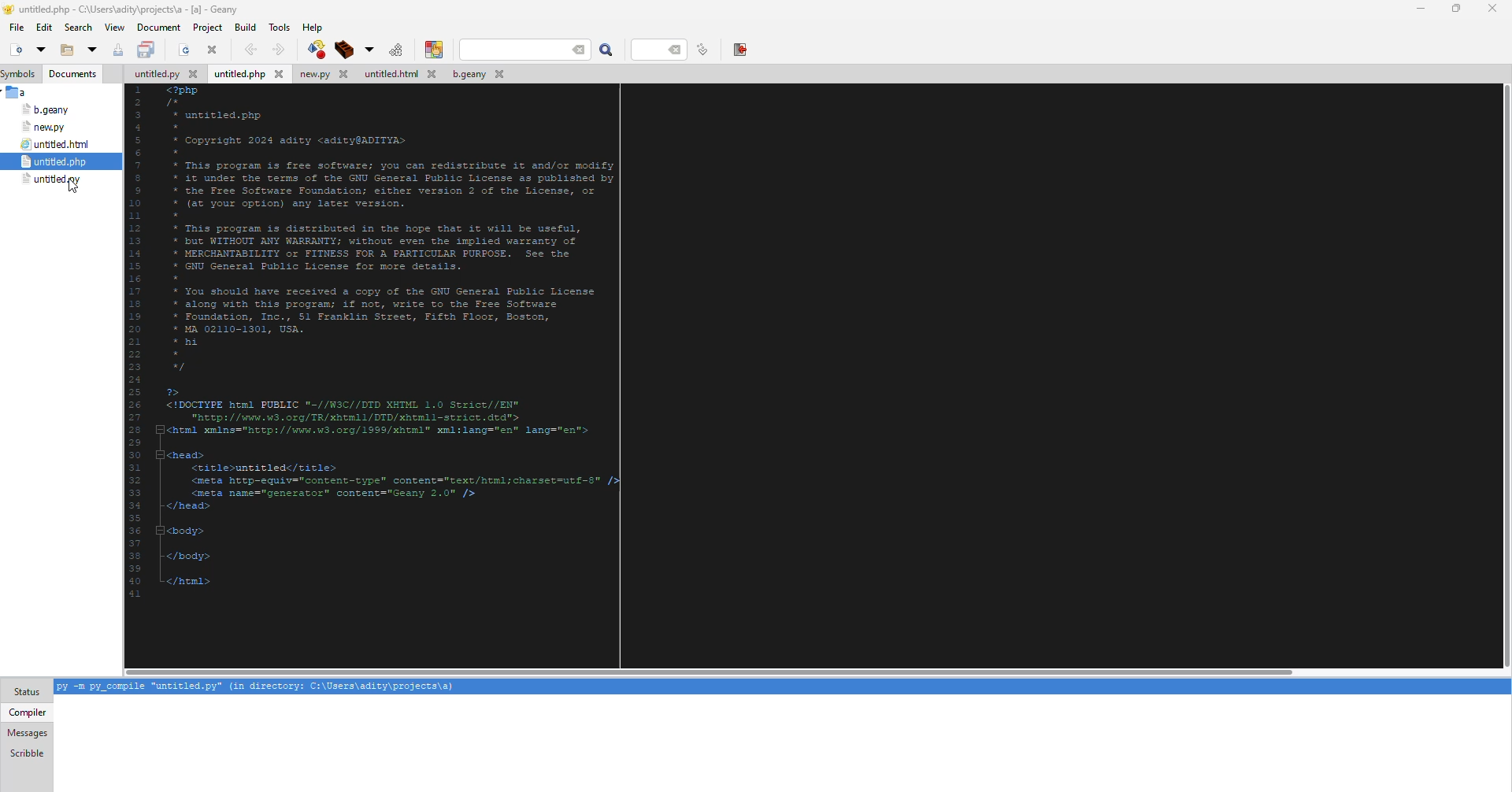  Describe the element at coordinates (91, 50) in the screenshot. I see `open` at that location.